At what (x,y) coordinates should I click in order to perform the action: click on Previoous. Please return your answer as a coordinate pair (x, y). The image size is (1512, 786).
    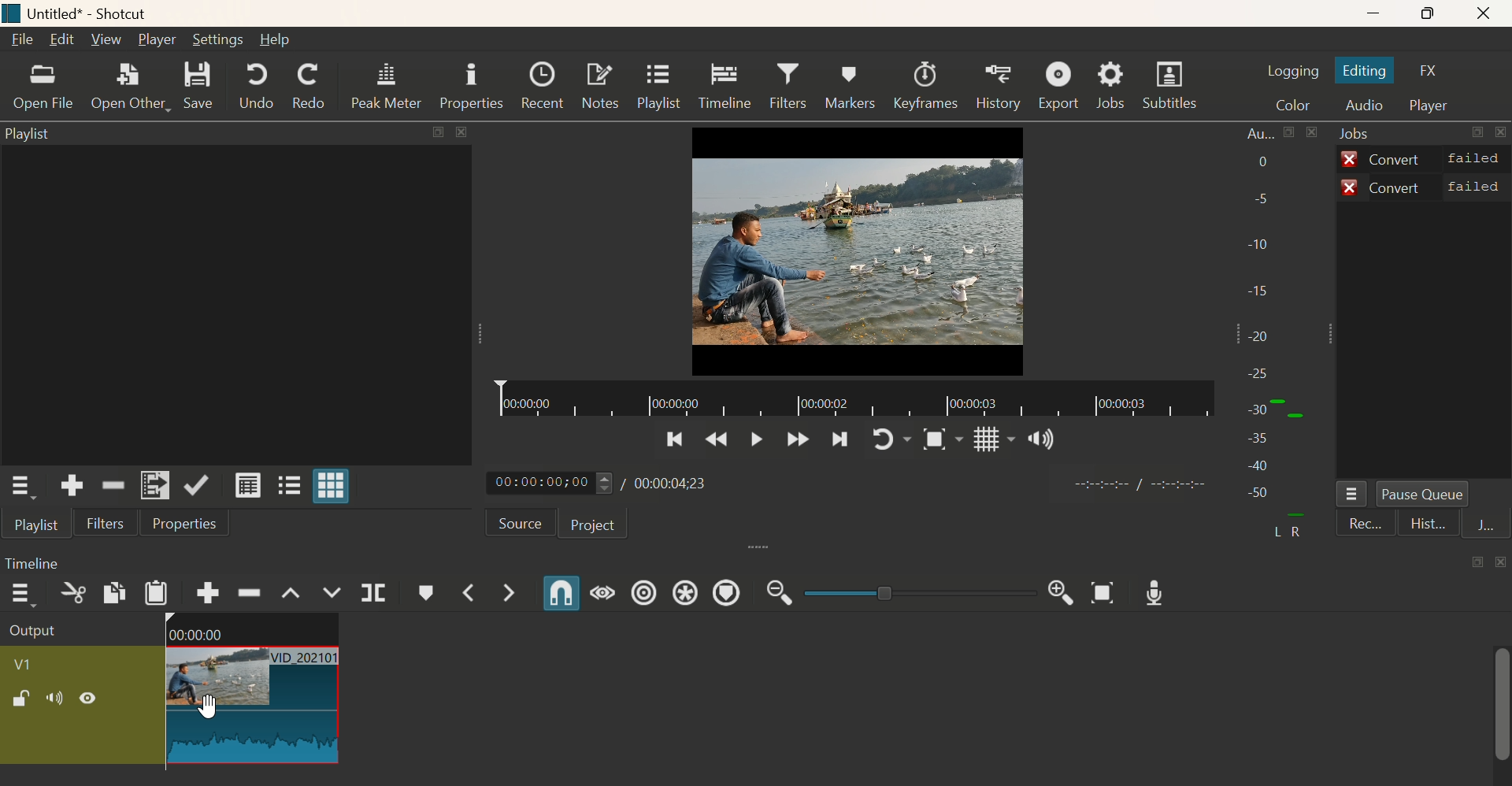
    Looking at the image, I should click on (674, 443).